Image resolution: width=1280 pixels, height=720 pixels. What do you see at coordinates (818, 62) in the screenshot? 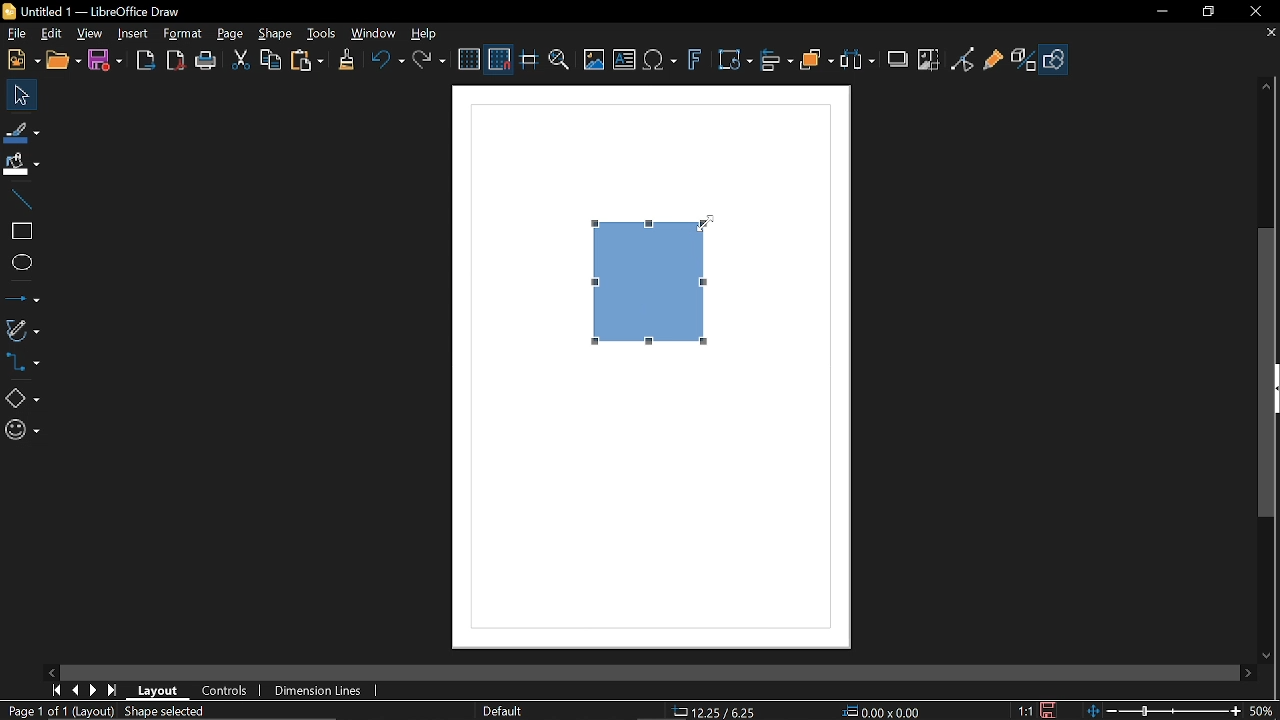
I see `Arrange` at bounding box center [818, 62].